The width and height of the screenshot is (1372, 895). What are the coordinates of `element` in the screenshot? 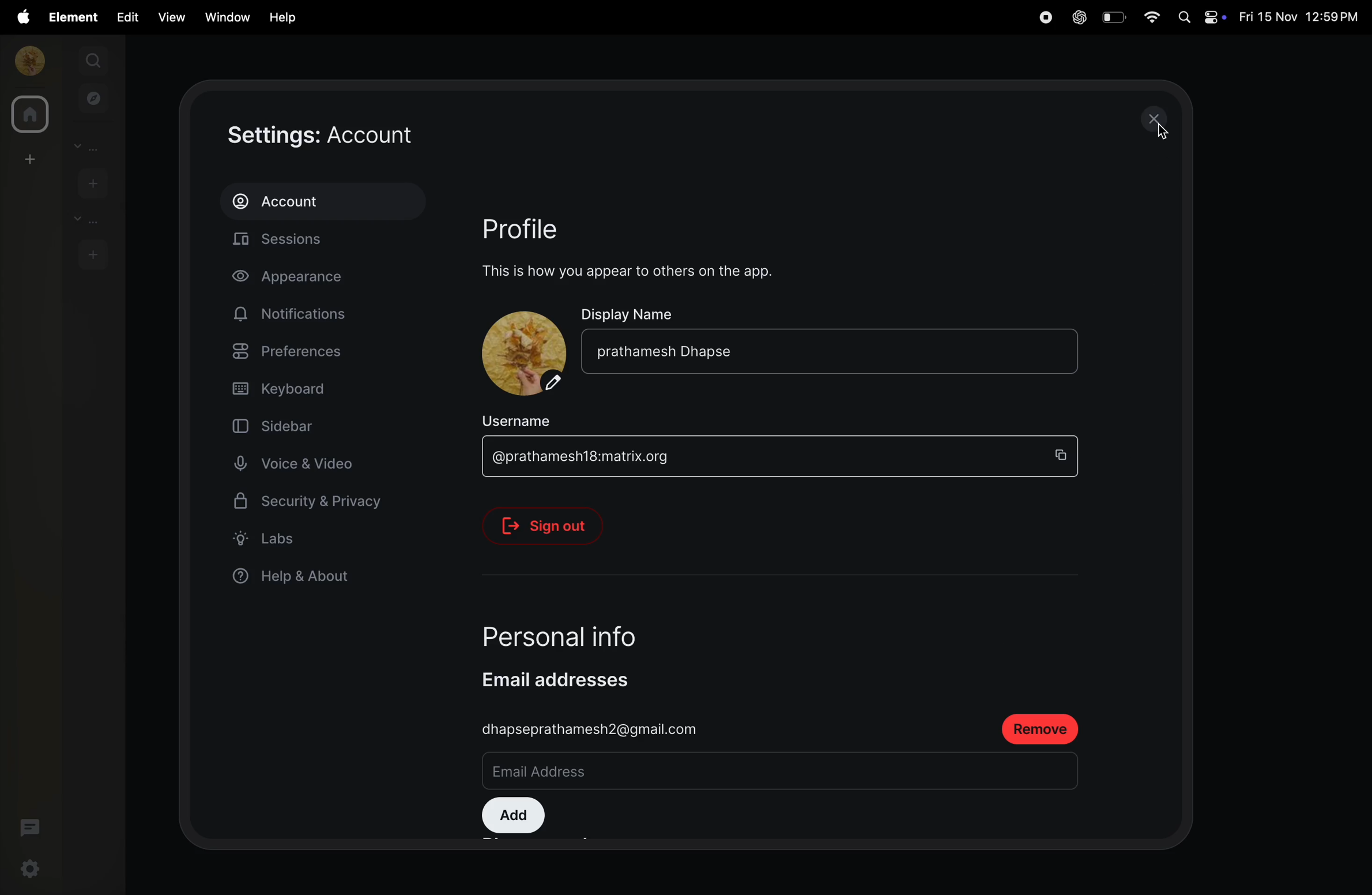 It's located at (75, 17).